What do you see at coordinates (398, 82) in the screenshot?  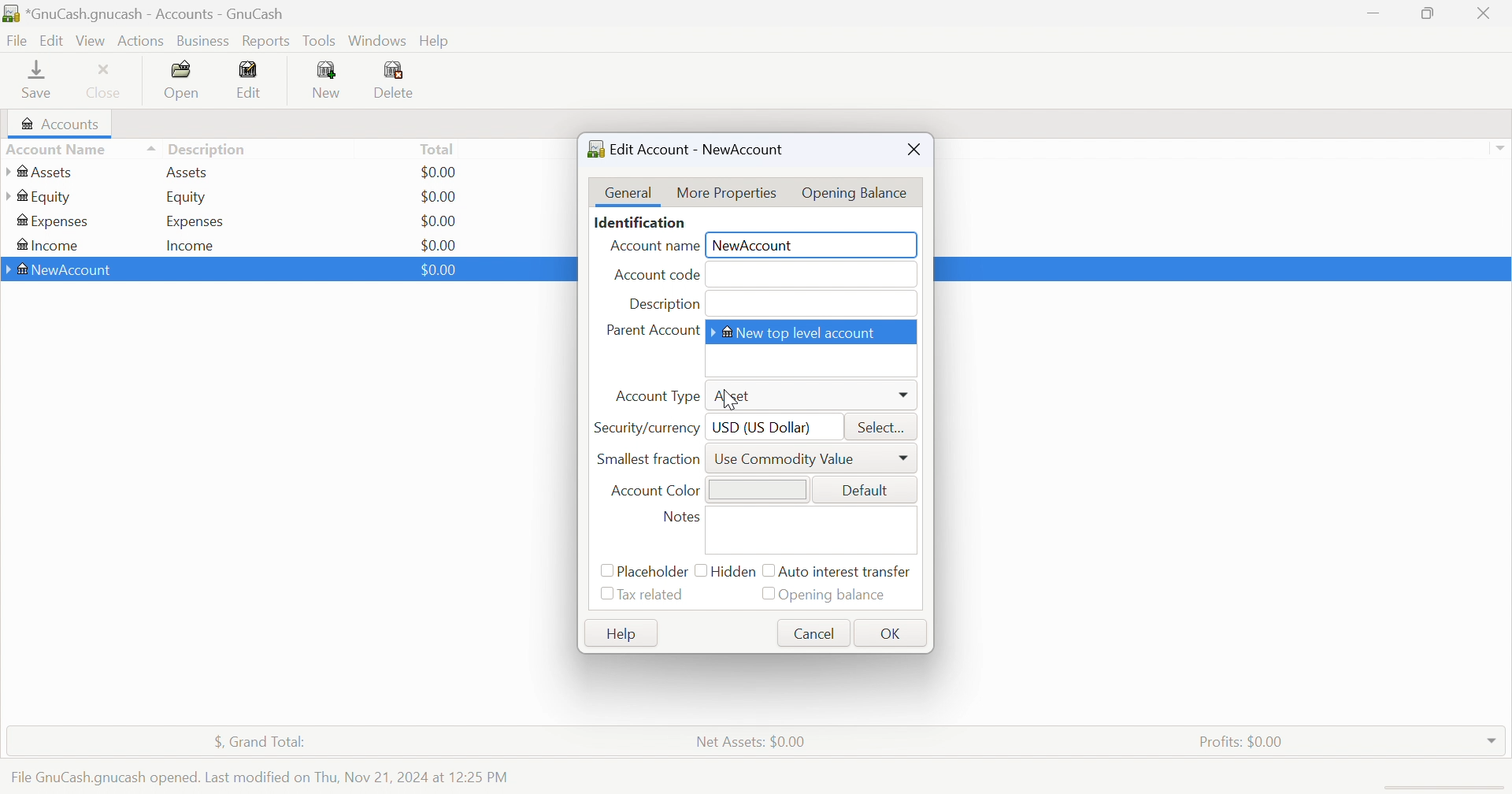 I see `Delete` at bounding box center [398, 82].